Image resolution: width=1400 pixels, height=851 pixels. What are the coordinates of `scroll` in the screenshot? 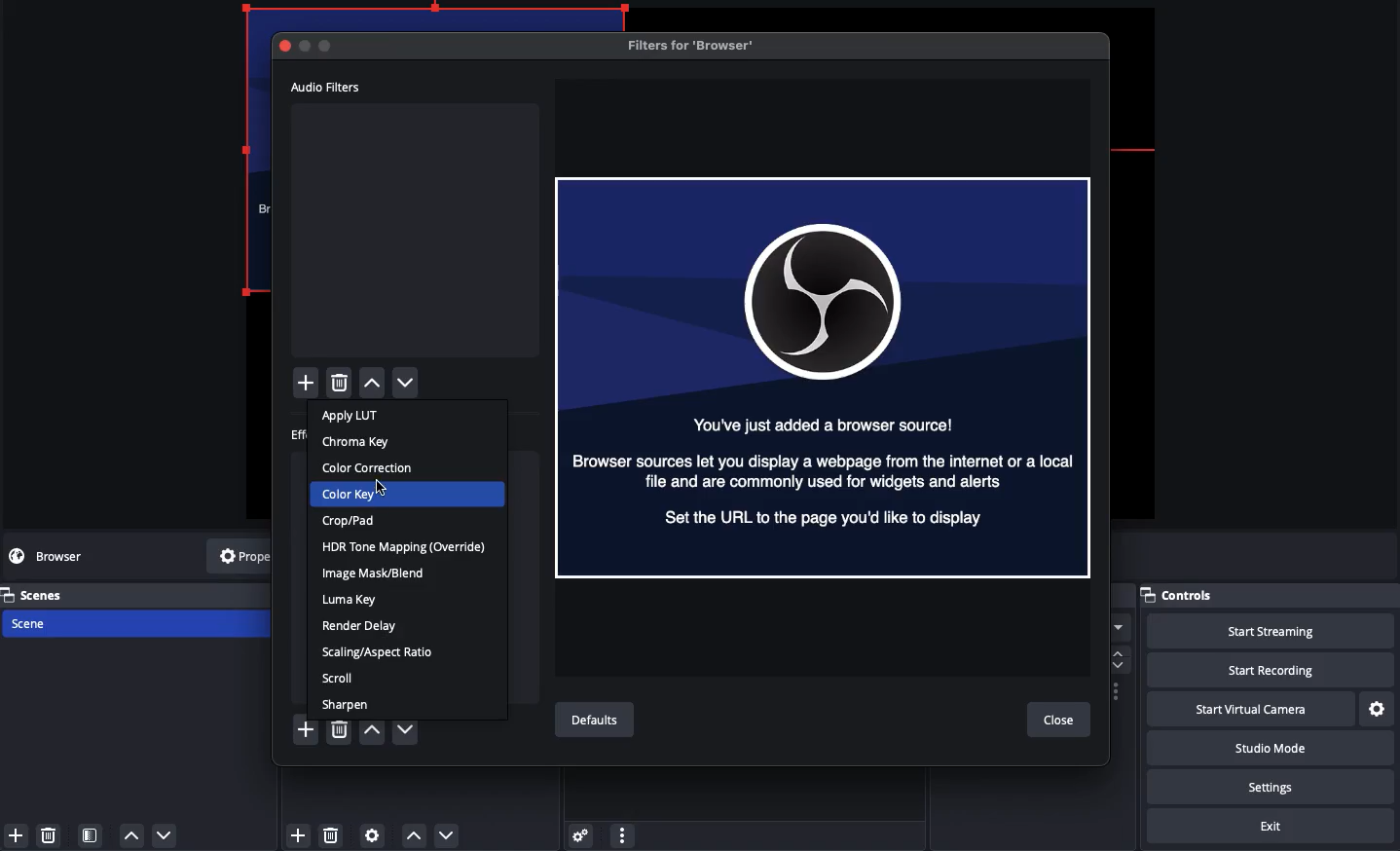 It's located at (1123, 656).